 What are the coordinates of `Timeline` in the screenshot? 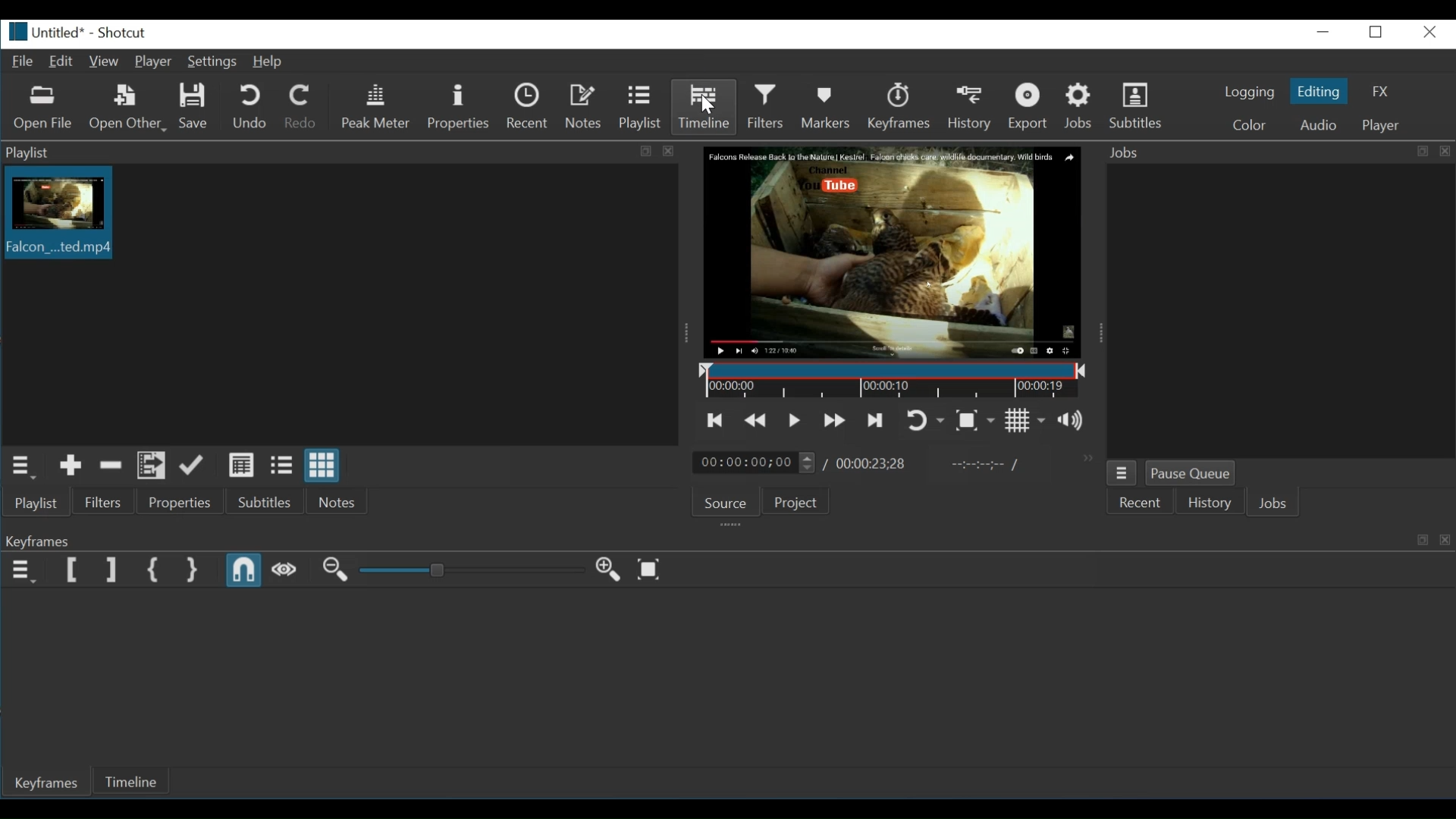 It's located at (893, 381).